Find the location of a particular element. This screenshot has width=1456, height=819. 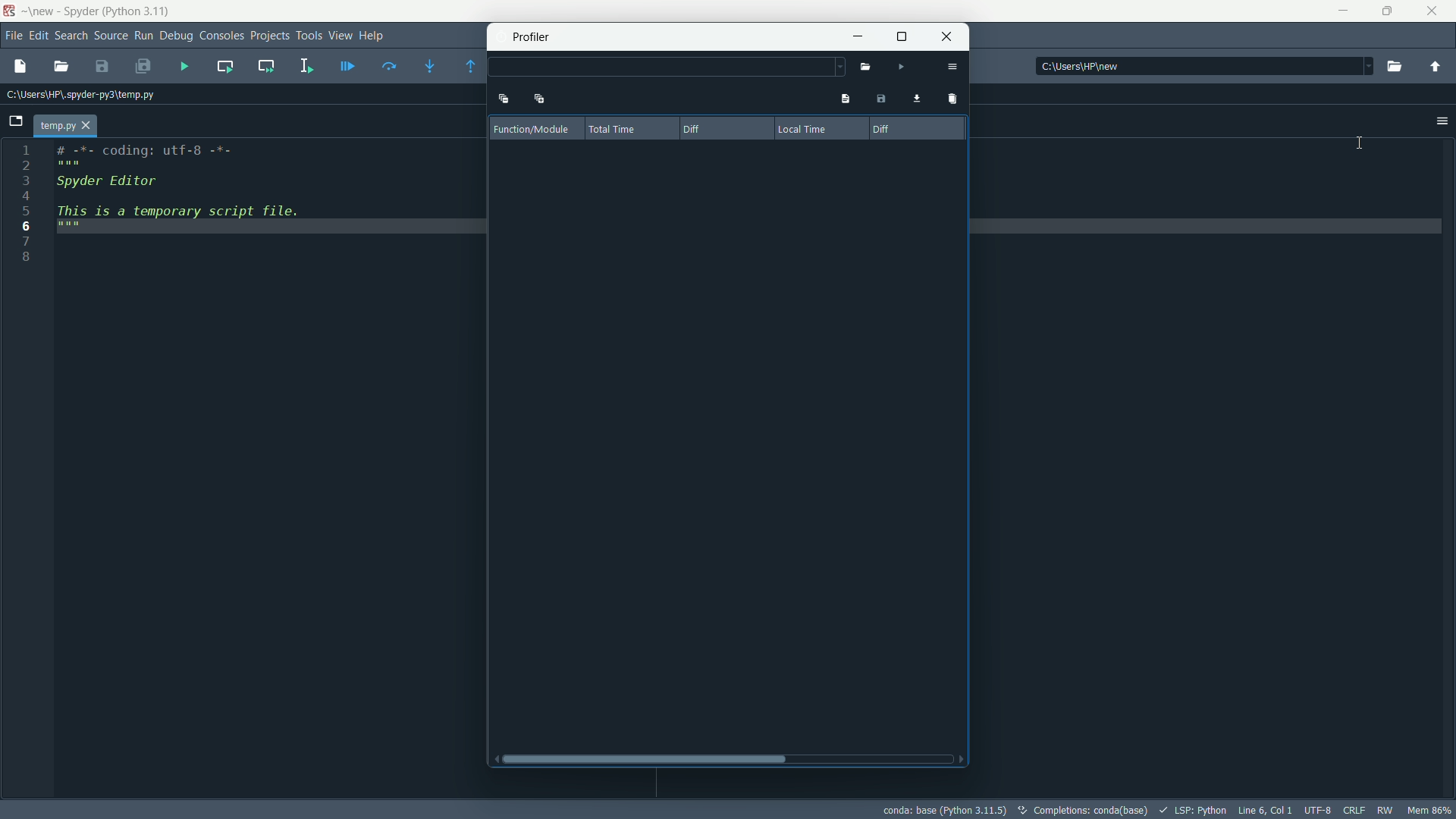

expand one level down is located at coordinates (540, 98).